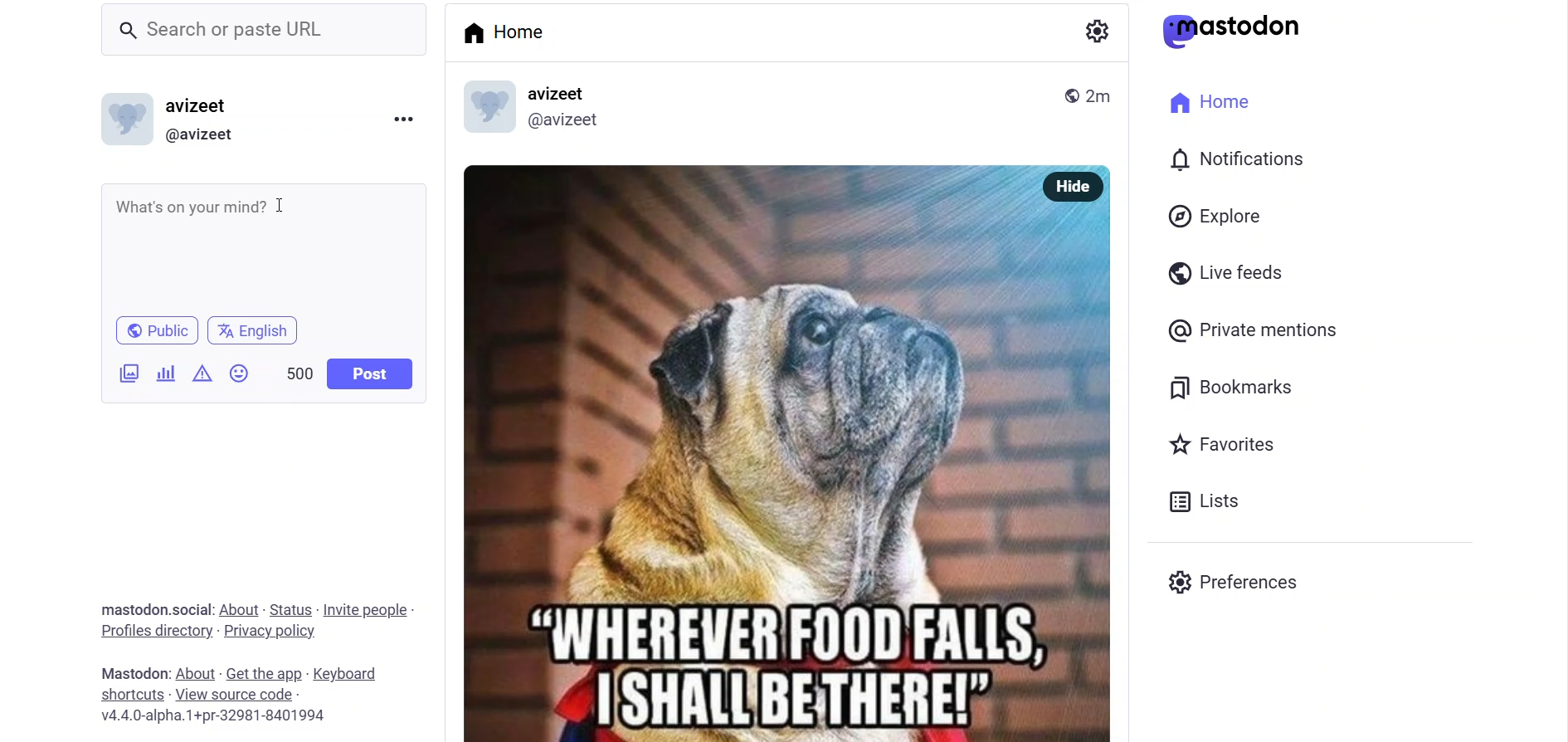 Image resolution: width=1568 pixels, height=742 pixels. I want to click on home, so click(1220, 105).